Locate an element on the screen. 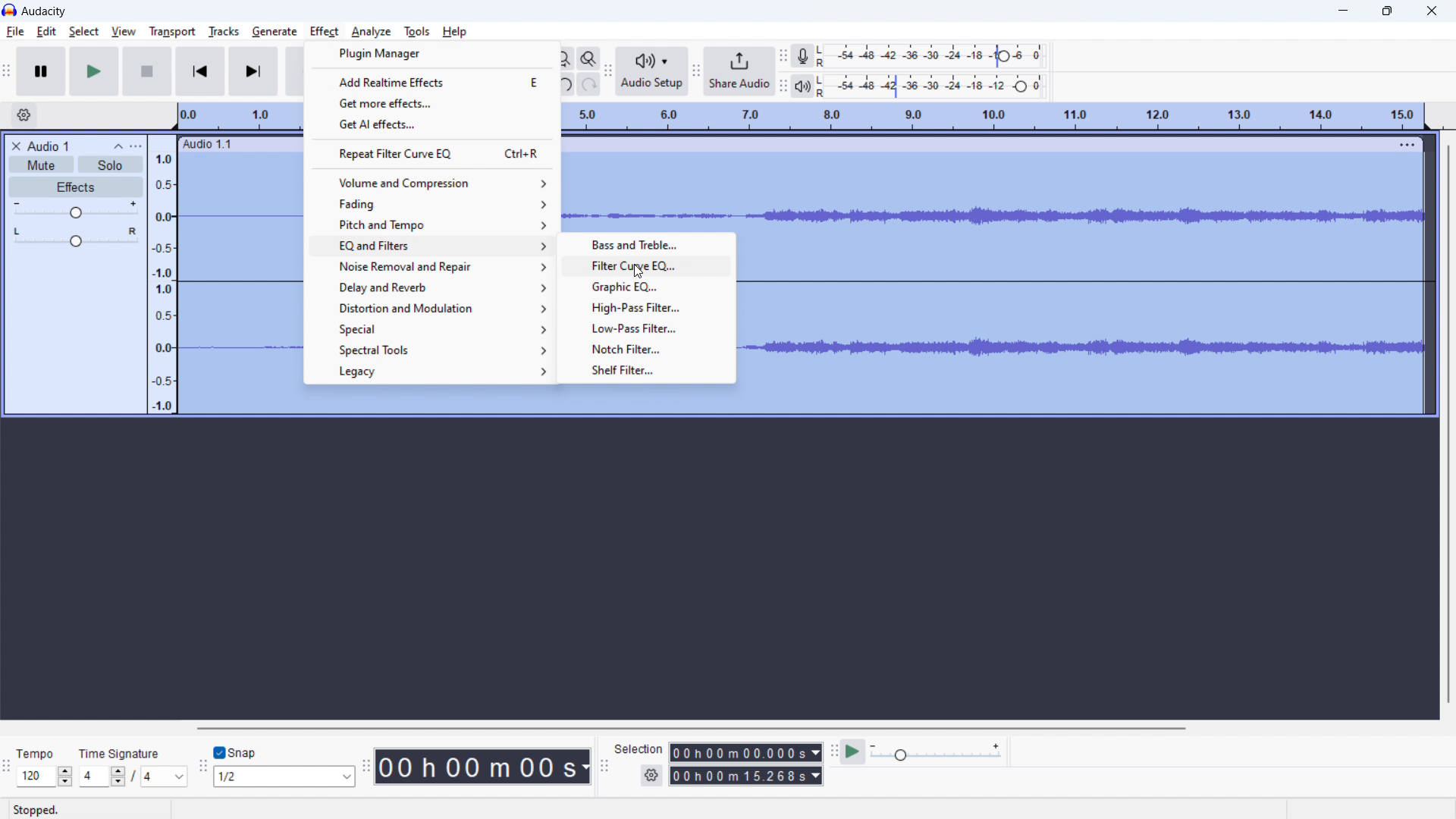 The width and height of the screenshot is (1456, 819). snap toggle is located at coordinates (236, 752).